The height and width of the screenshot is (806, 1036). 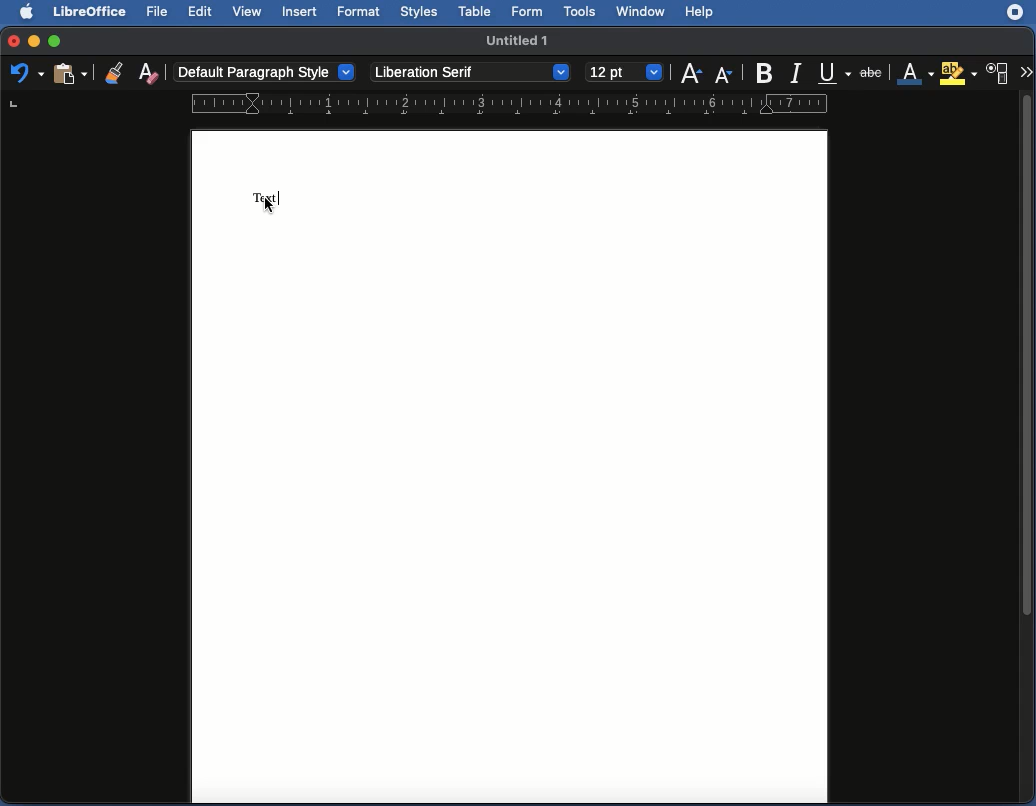 I want to click on cursor, so click(x=269, y=208).